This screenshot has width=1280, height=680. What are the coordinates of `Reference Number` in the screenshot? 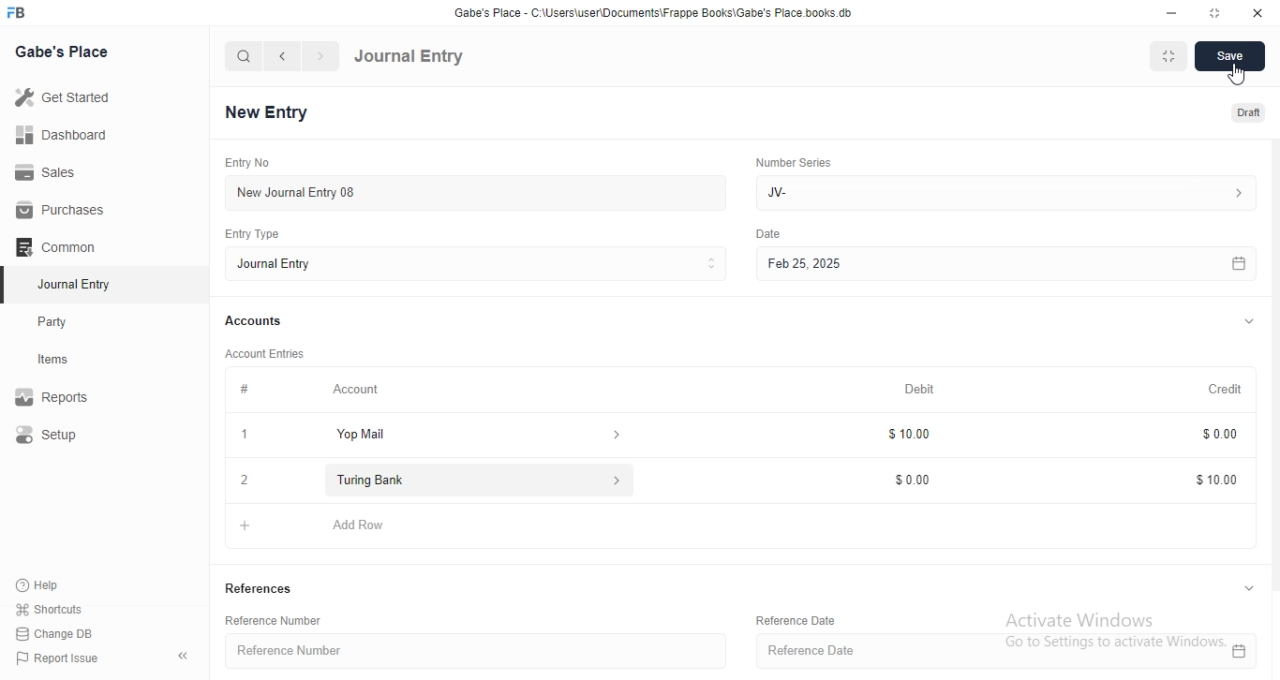 It's located at (272, 623).